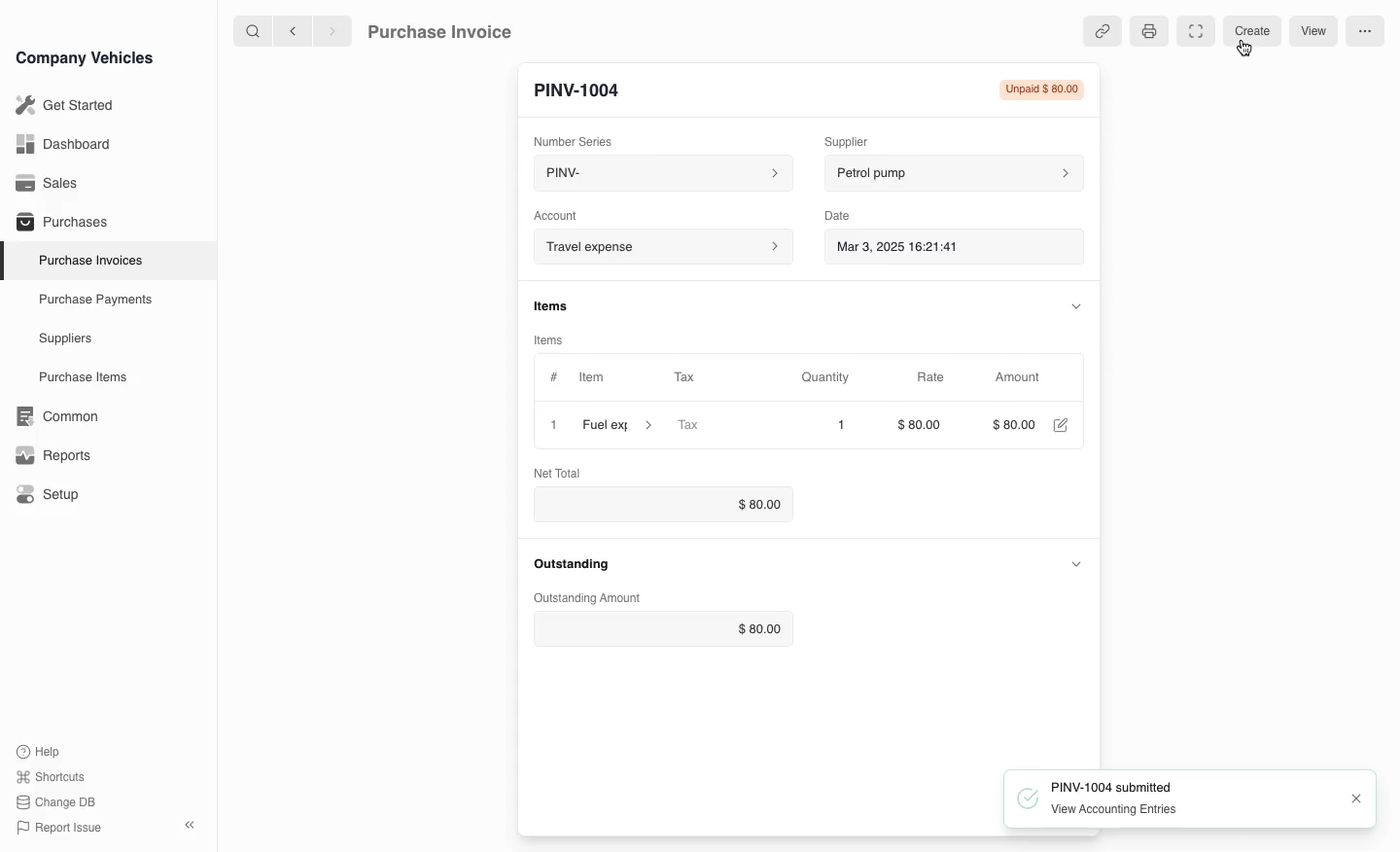  Describe the element at coordinates (553, 307) in the screenshot. I see `items` at that location.